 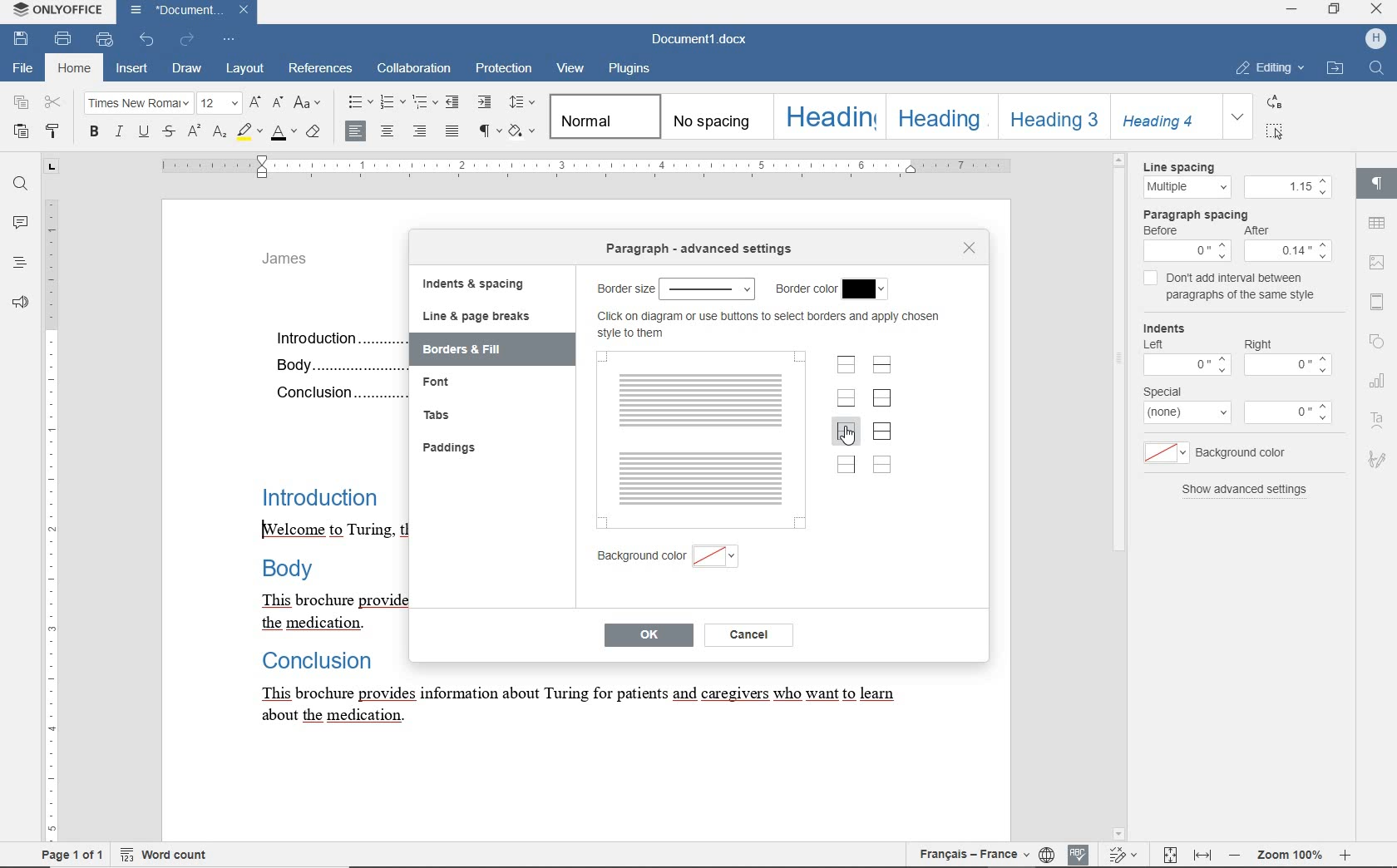 I want to click on document name, so click(x=187, y=12).